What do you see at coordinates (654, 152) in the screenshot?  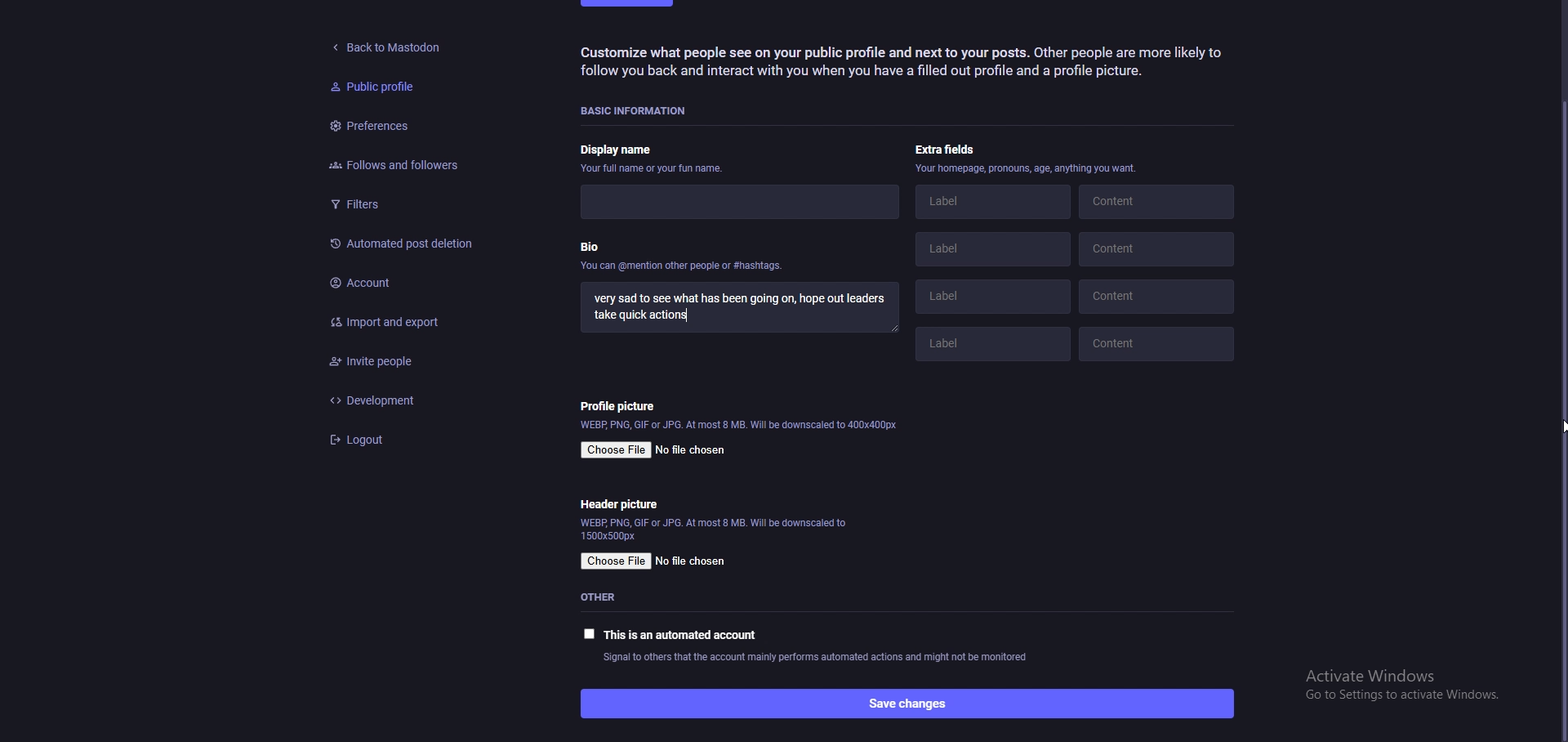 I see `display name` at bounding box center [654, 152].